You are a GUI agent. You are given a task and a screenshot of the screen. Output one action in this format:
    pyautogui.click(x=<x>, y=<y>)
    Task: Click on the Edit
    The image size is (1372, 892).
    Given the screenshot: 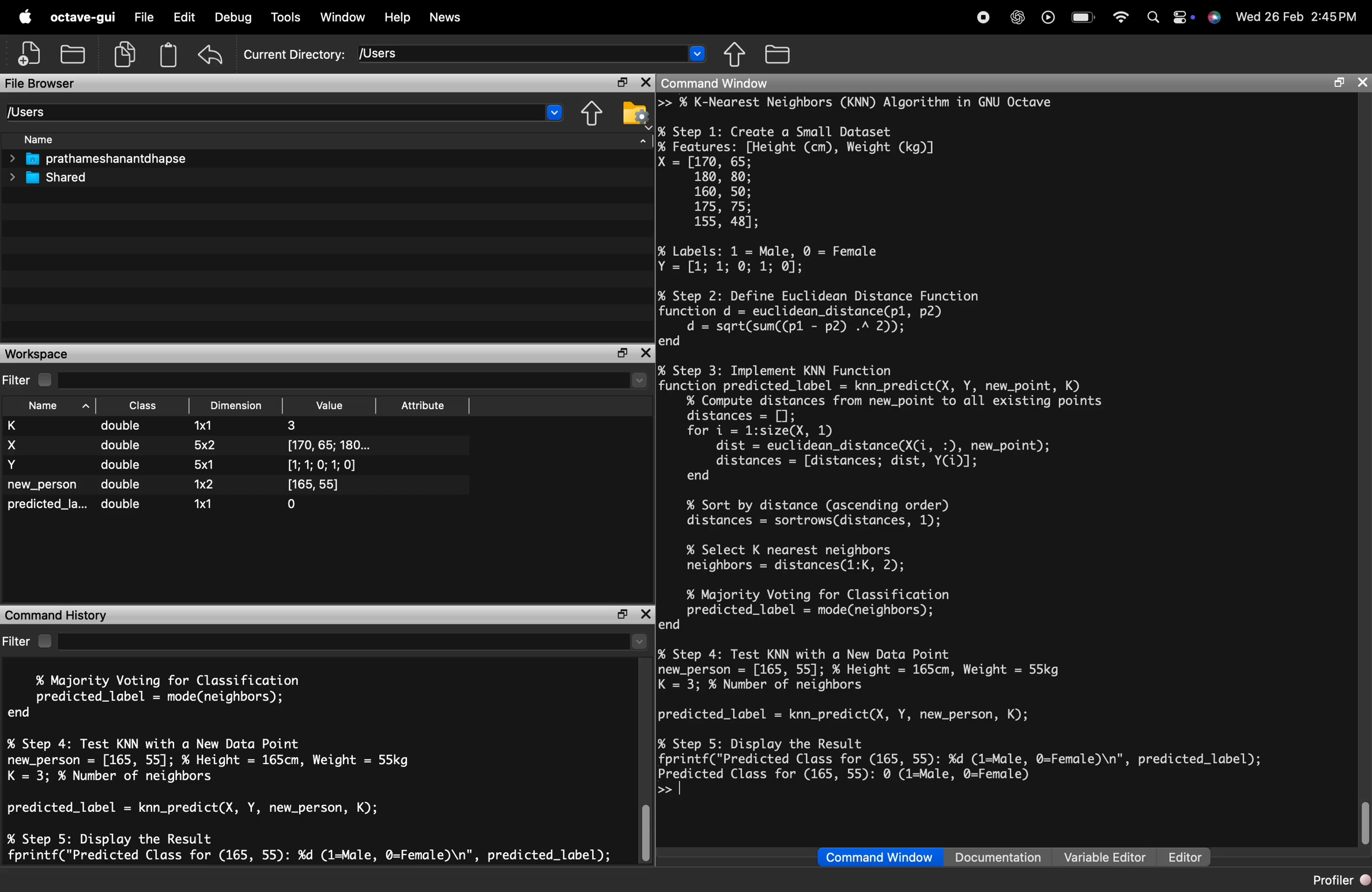 What is the action you would take?
    pyautogui.click(x=184, y=17)
    